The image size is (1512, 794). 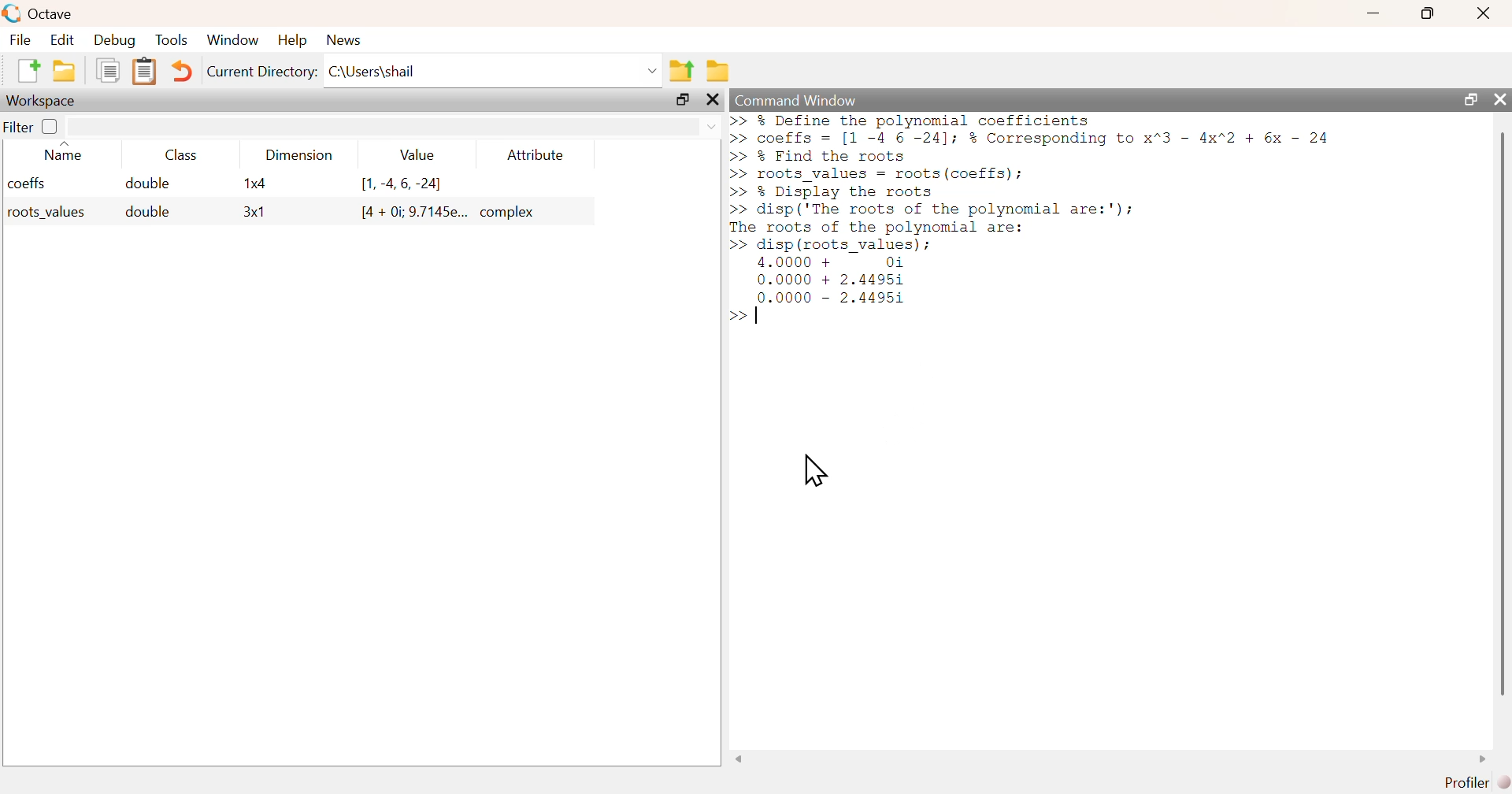 I want to click on maximize, so click(x=1467, y=98).